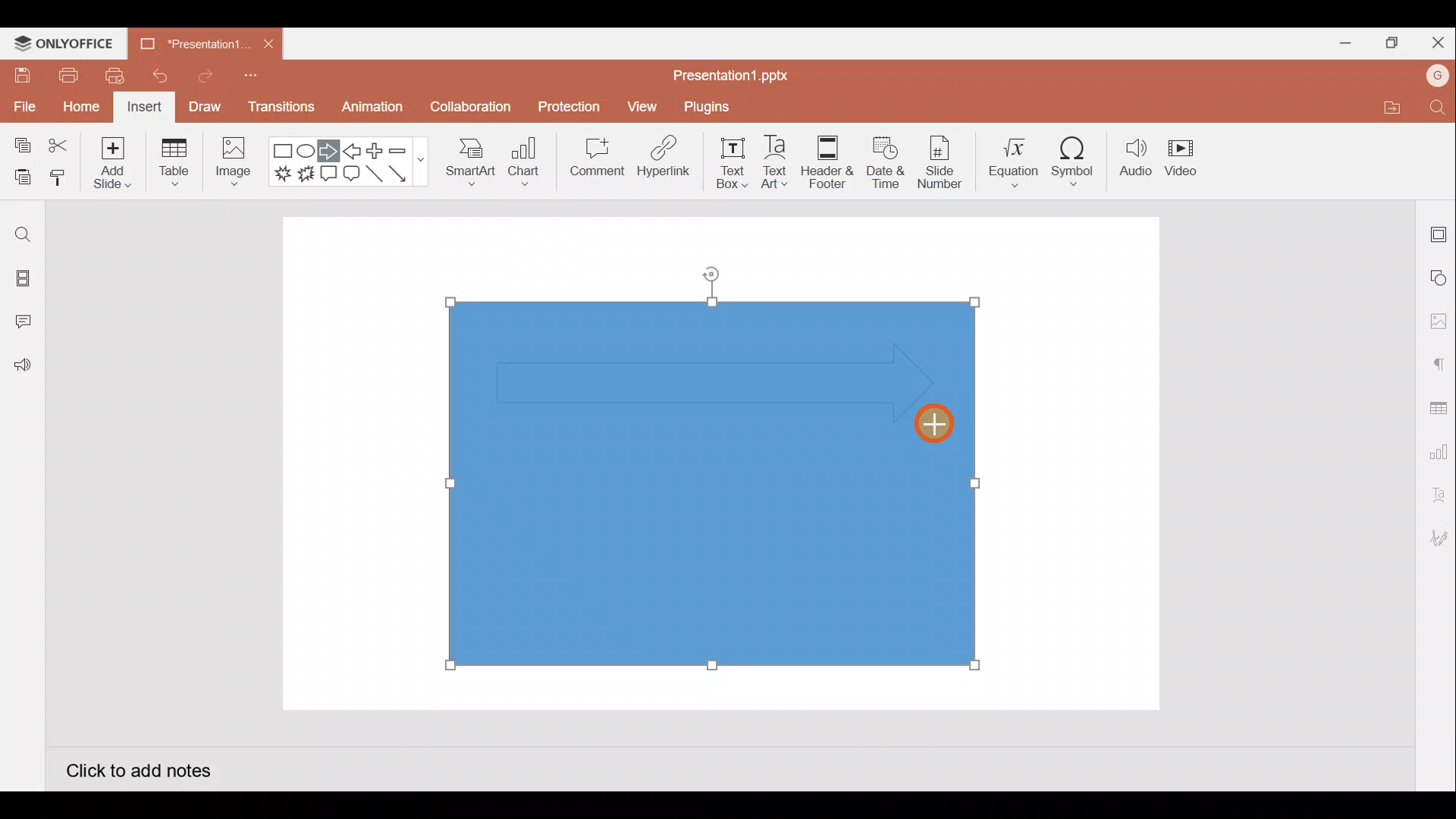  What do you see at coordinates (256, 80) in the screenshot?
I see `Customize quick access toolbar` at bounding box center [256, 80].